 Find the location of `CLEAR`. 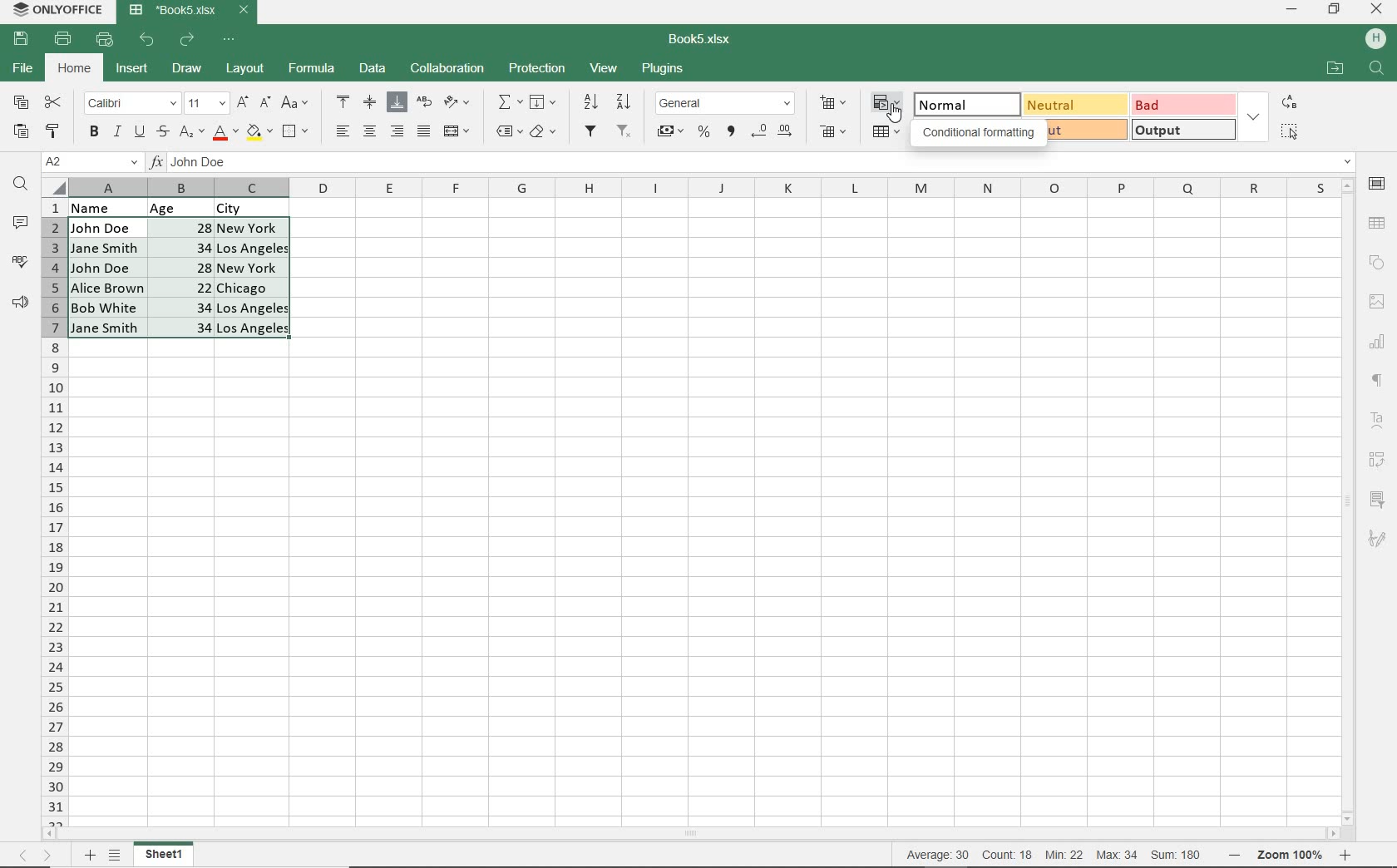

CLEAR is located at coordinates (542, 134).